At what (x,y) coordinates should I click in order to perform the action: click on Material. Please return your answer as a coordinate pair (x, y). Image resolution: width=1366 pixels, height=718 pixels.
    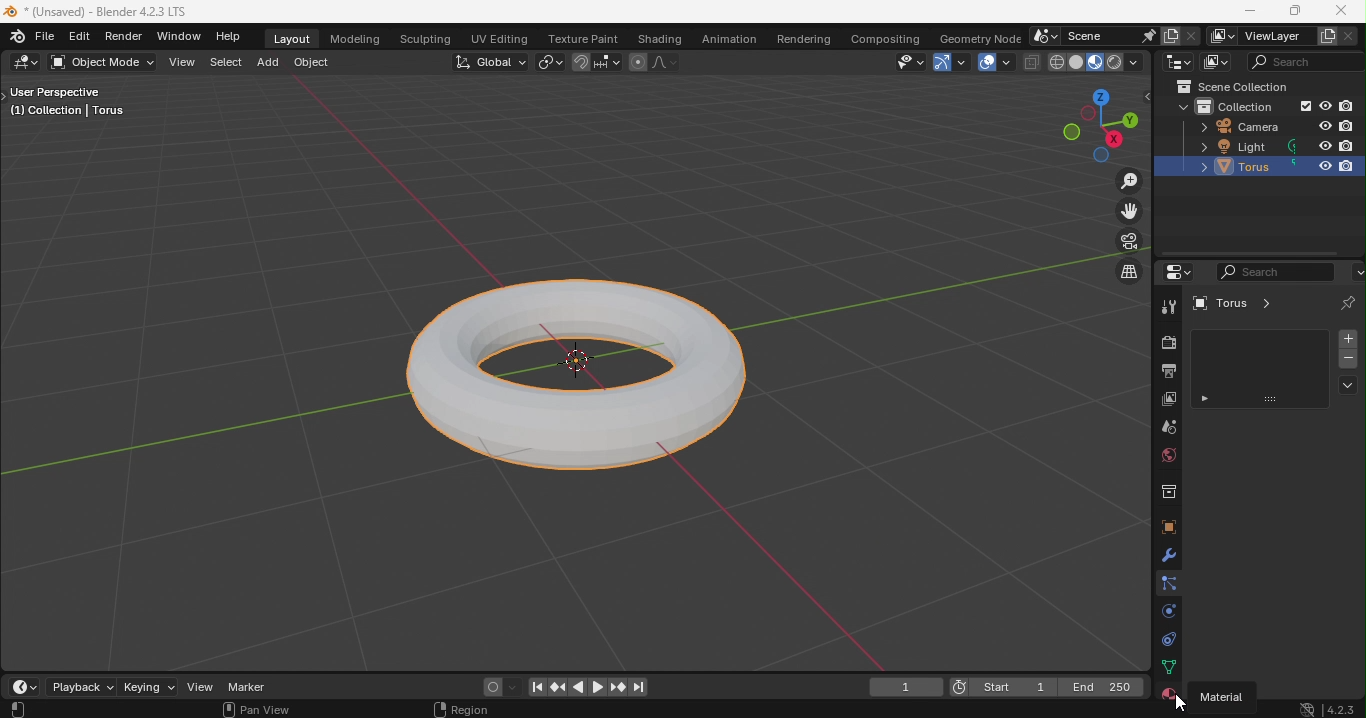
    Looking at the image, I should click on (1172, 690).